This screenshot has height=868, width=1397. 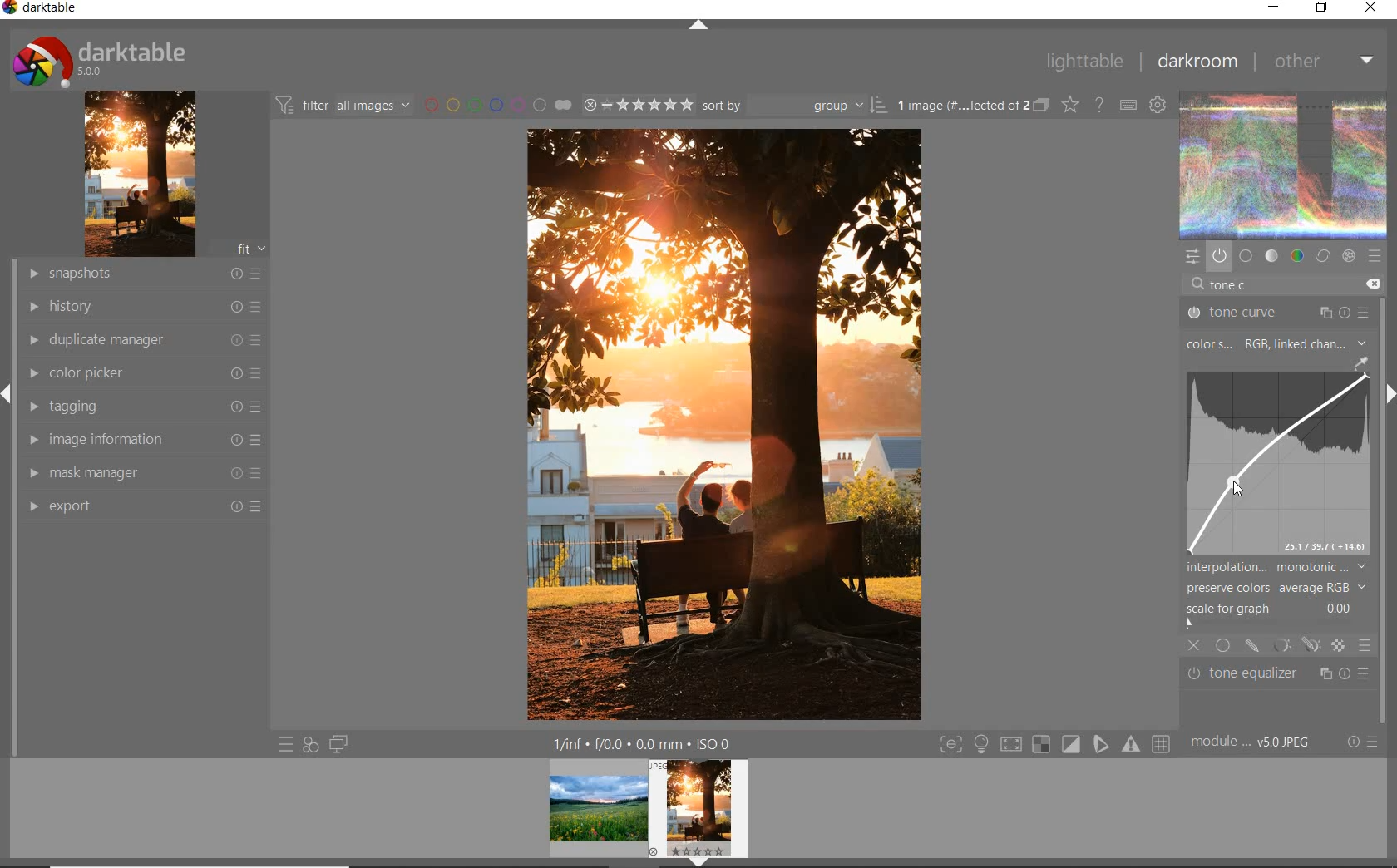 What do you see at coordinates (645, 742) in the screenshot?
I see `1/fnf f/0.0 0.0 mm ISO 0` at bounding box center [645, 742].